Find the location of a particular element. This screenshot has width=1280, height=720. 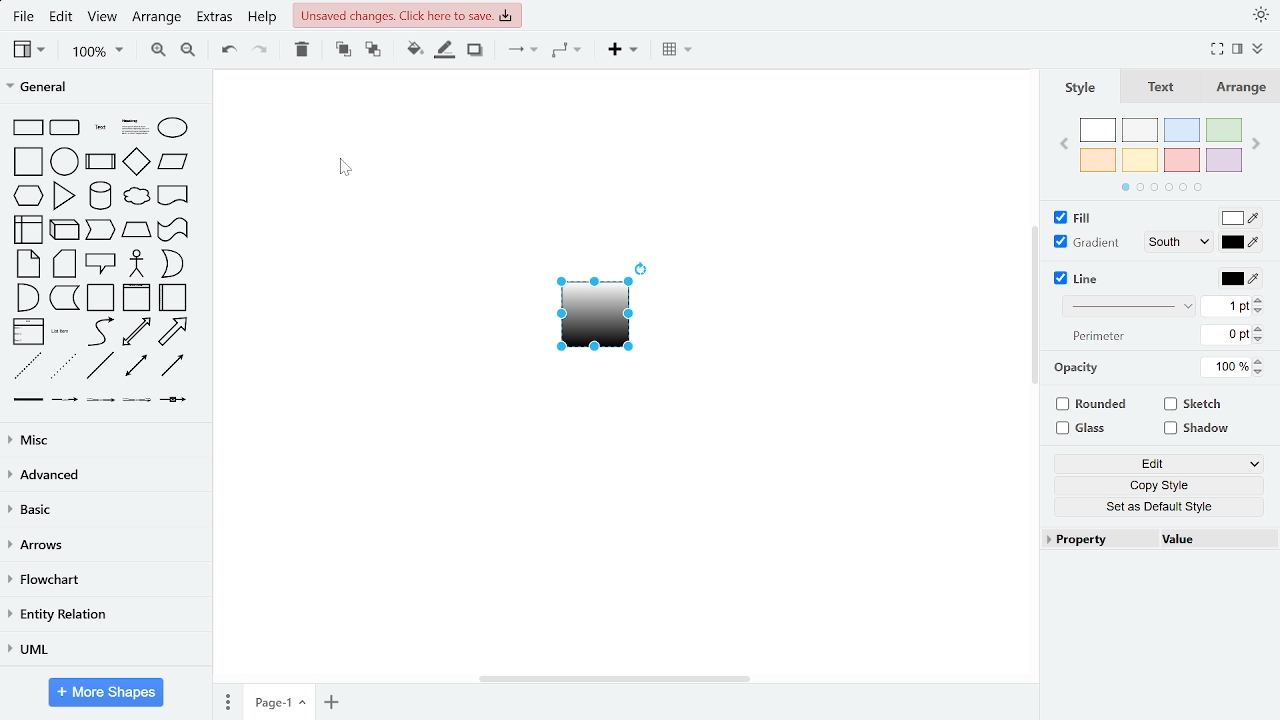

to front is located at coordinates (341, 51).